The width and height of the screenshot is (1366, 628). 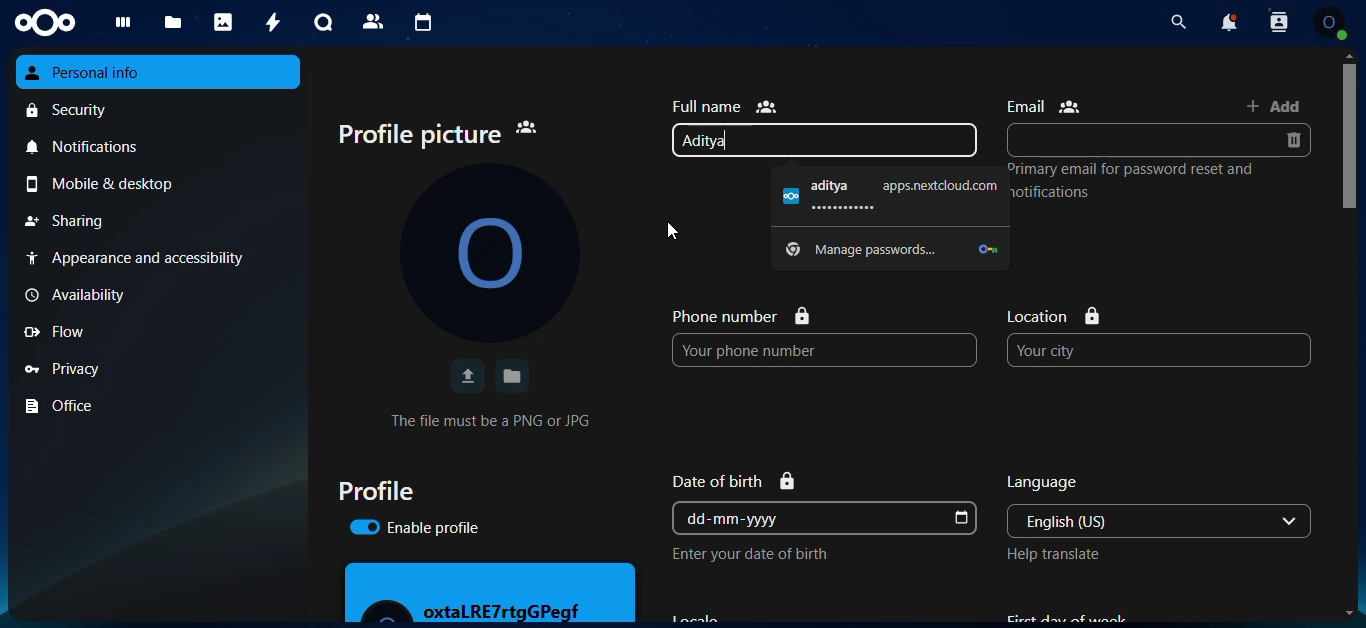 I want to click on profile, so click(x=1329, y=22).